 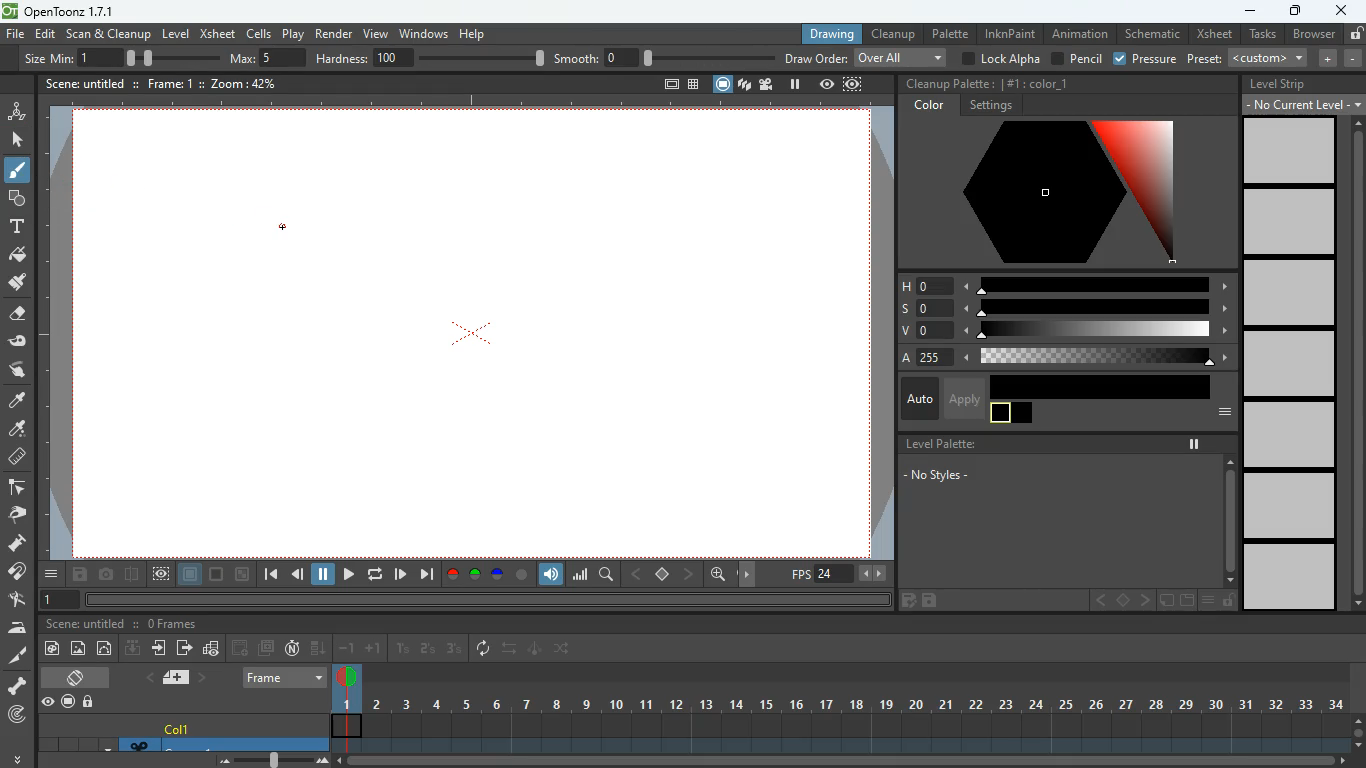 I want to click on join, so click(x=18, y=574).